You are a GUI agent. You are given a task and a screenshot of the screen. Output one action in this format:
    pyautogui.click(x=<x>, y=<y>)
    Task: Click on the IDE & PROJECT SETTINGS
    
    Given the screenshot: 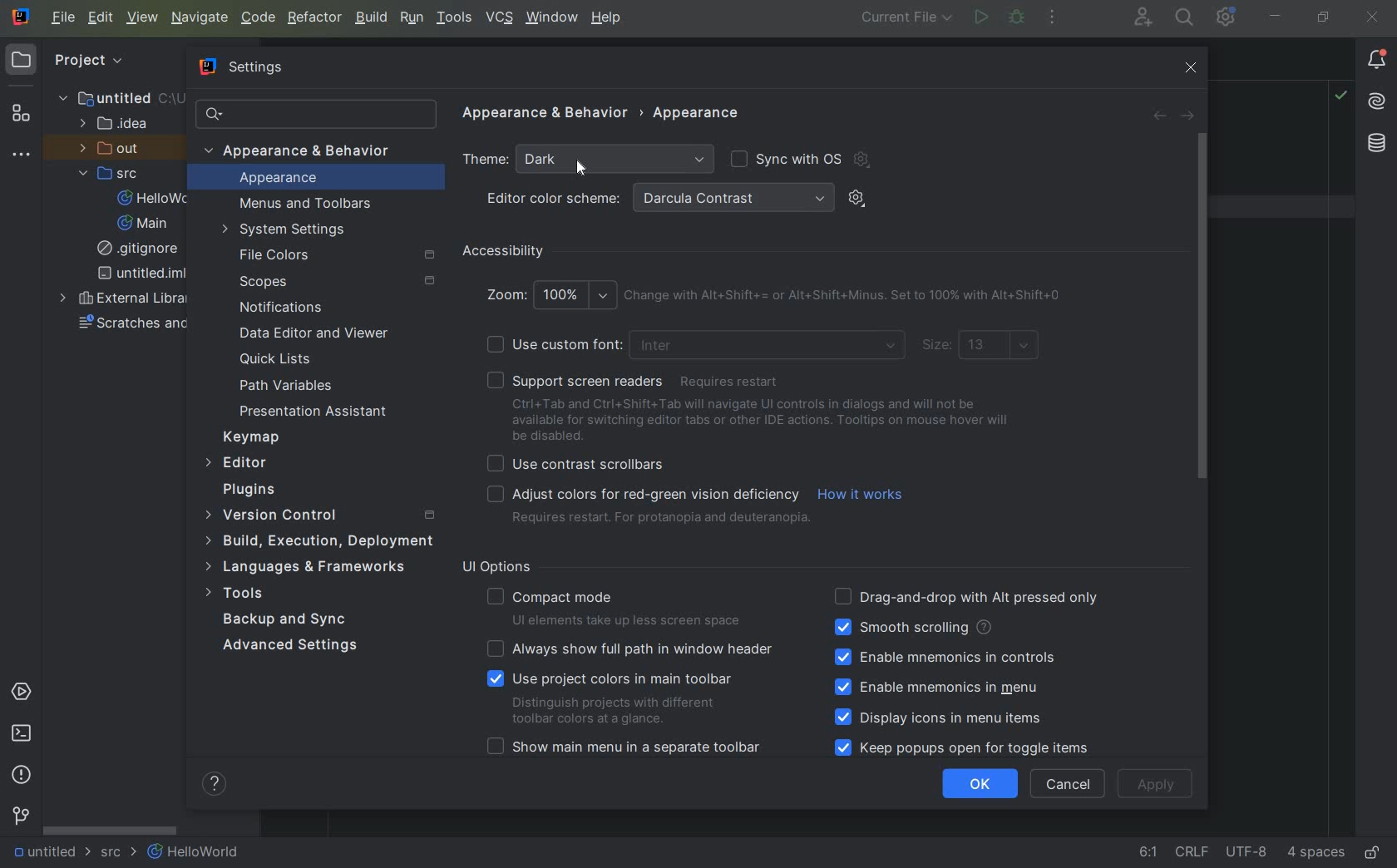 What is the action you would take?
    pyautogui.click(x=1225, y=17)
    